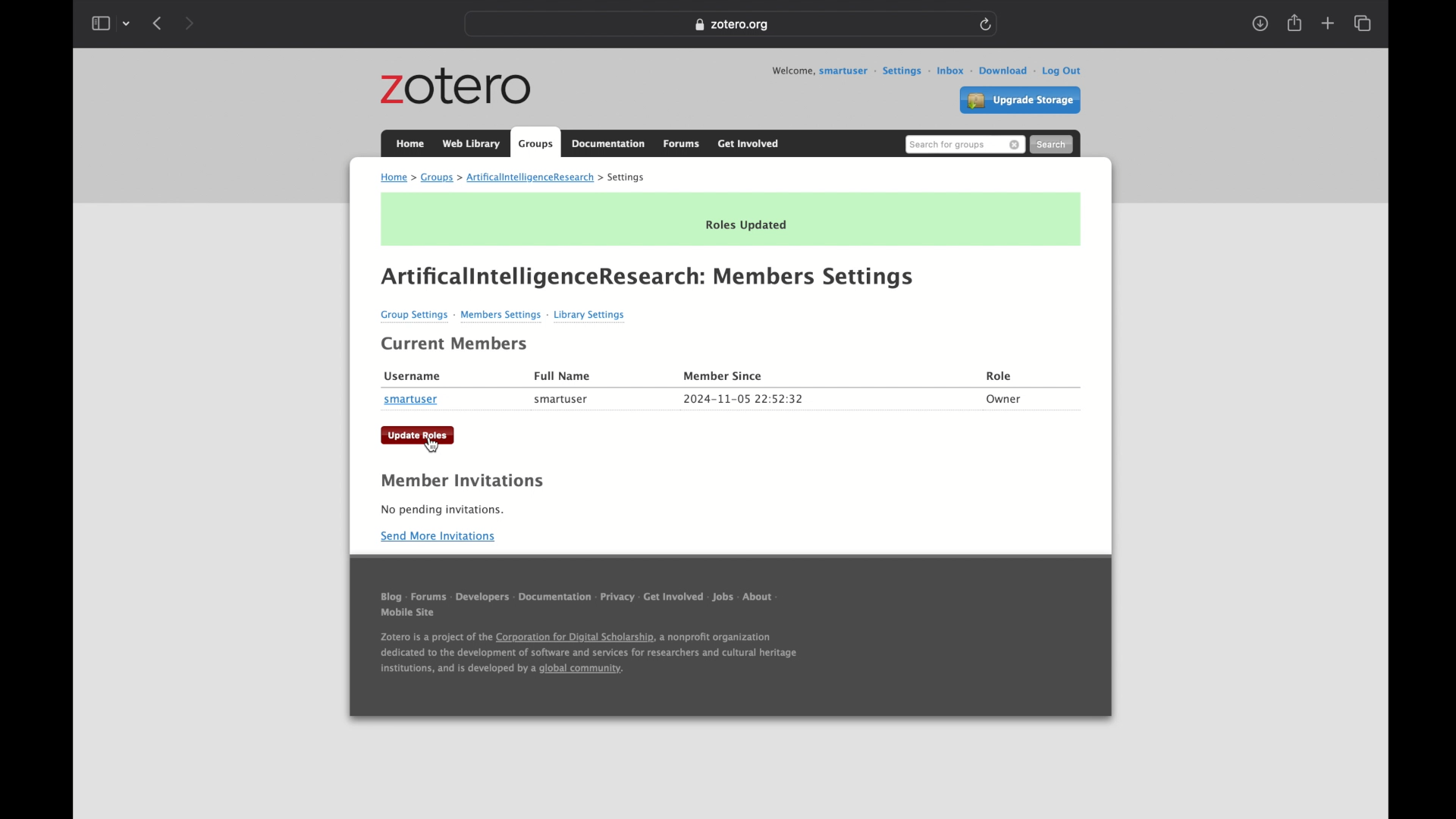  What do you see at coordinates (994, 397) in the screenshot?
I see `Owner` at bounding box center [994, 397].